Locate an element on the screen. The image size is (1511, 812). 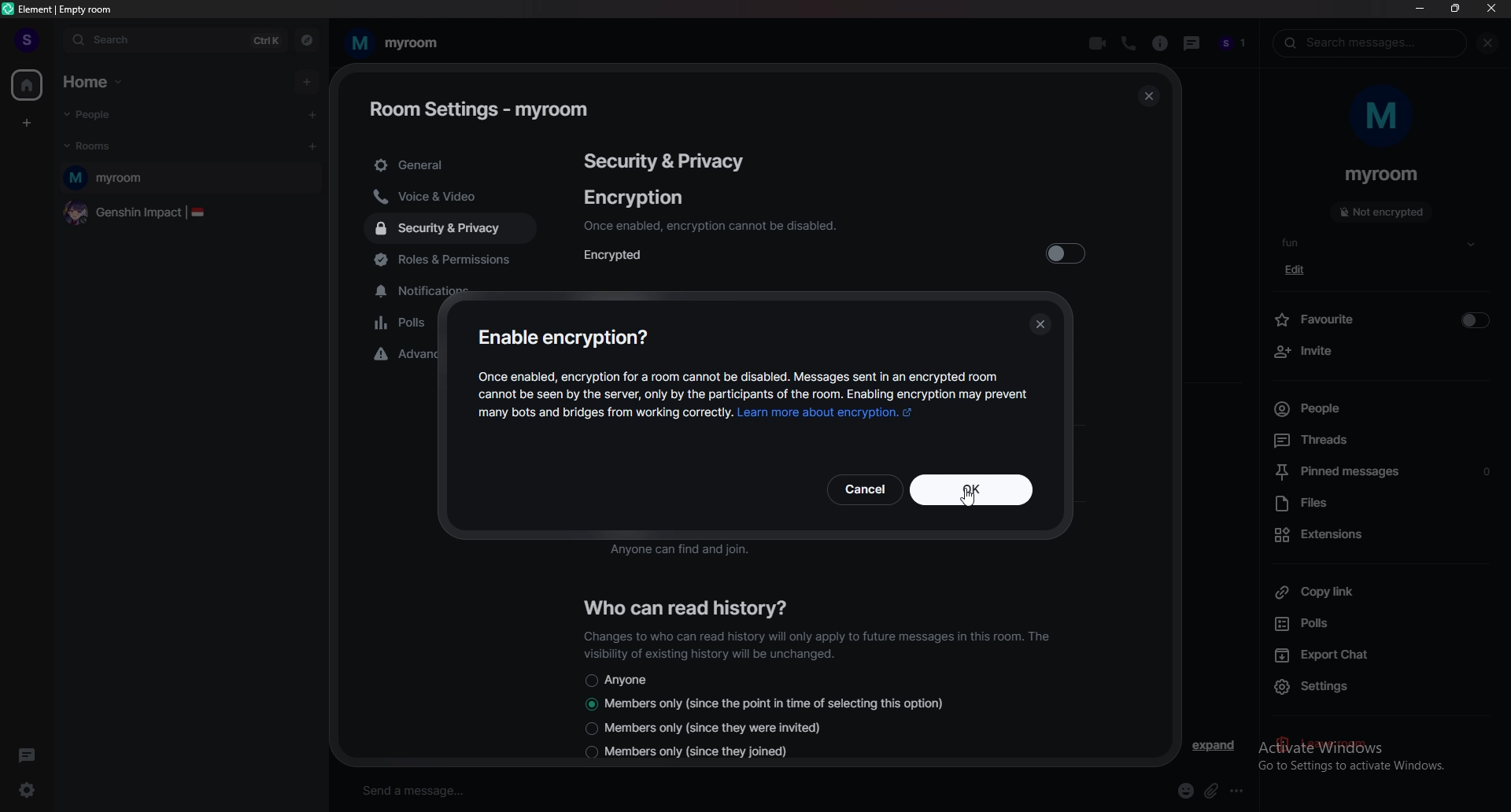
attach is located at coordinates (1211, 791).